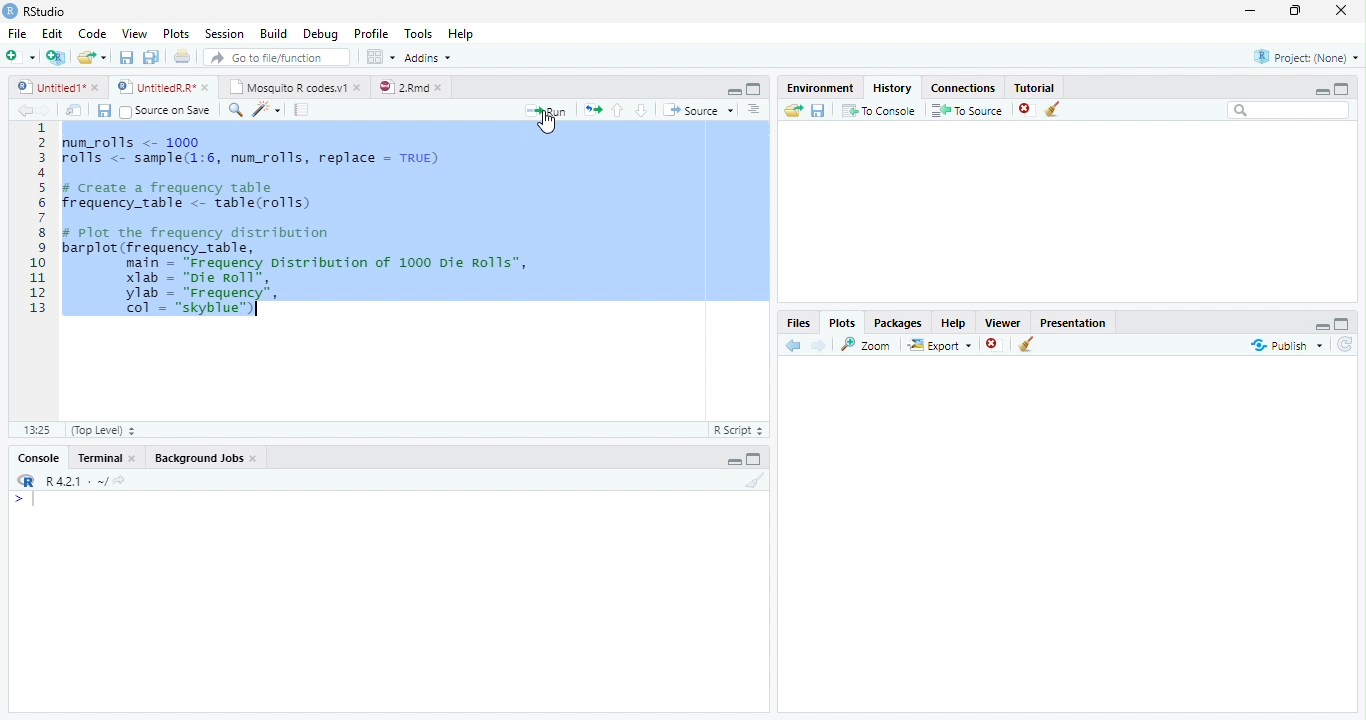  I want to click on Build, so click(275, 33).